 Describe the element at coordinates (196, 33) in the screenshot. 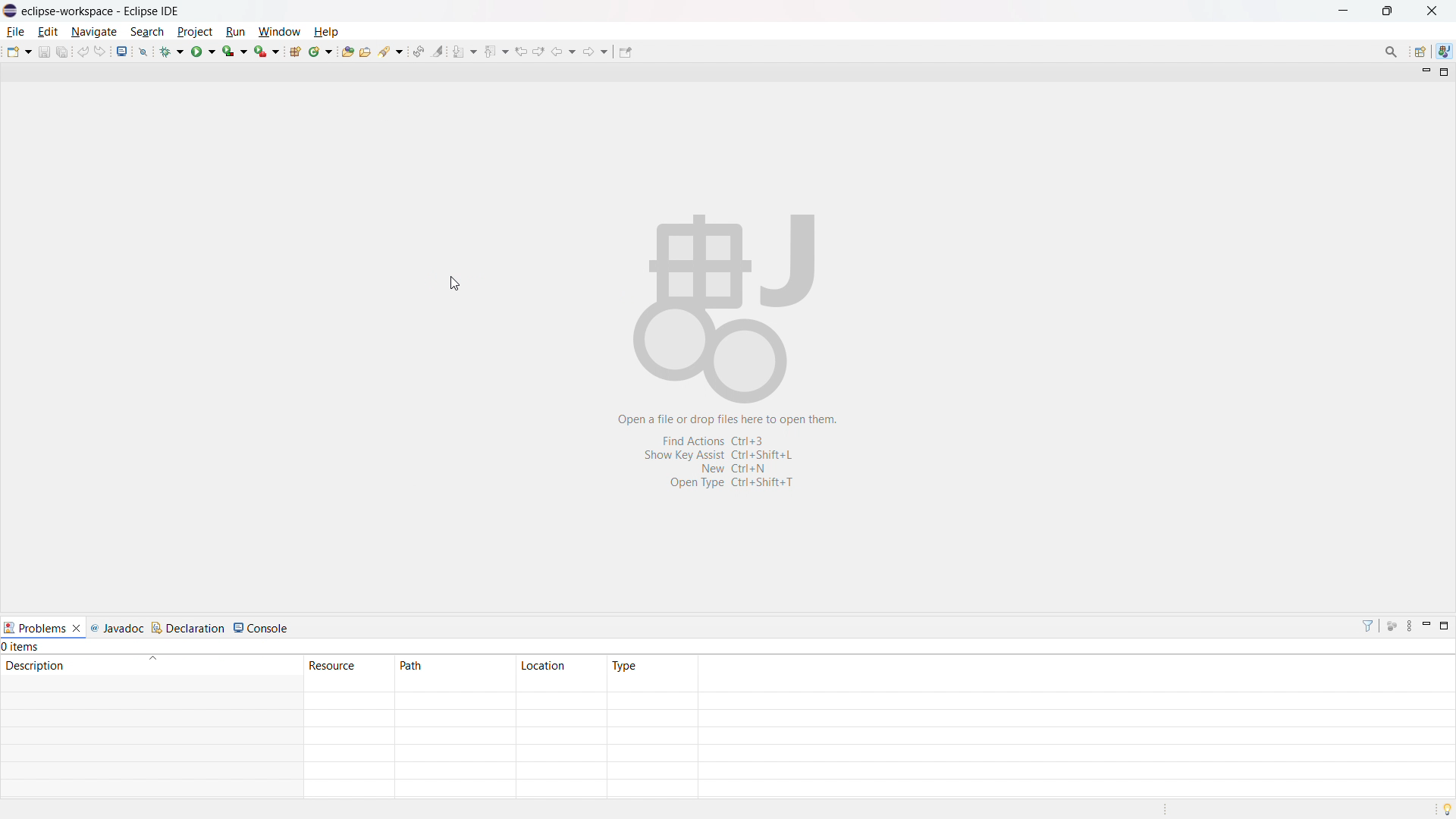

I see `project` at that location.